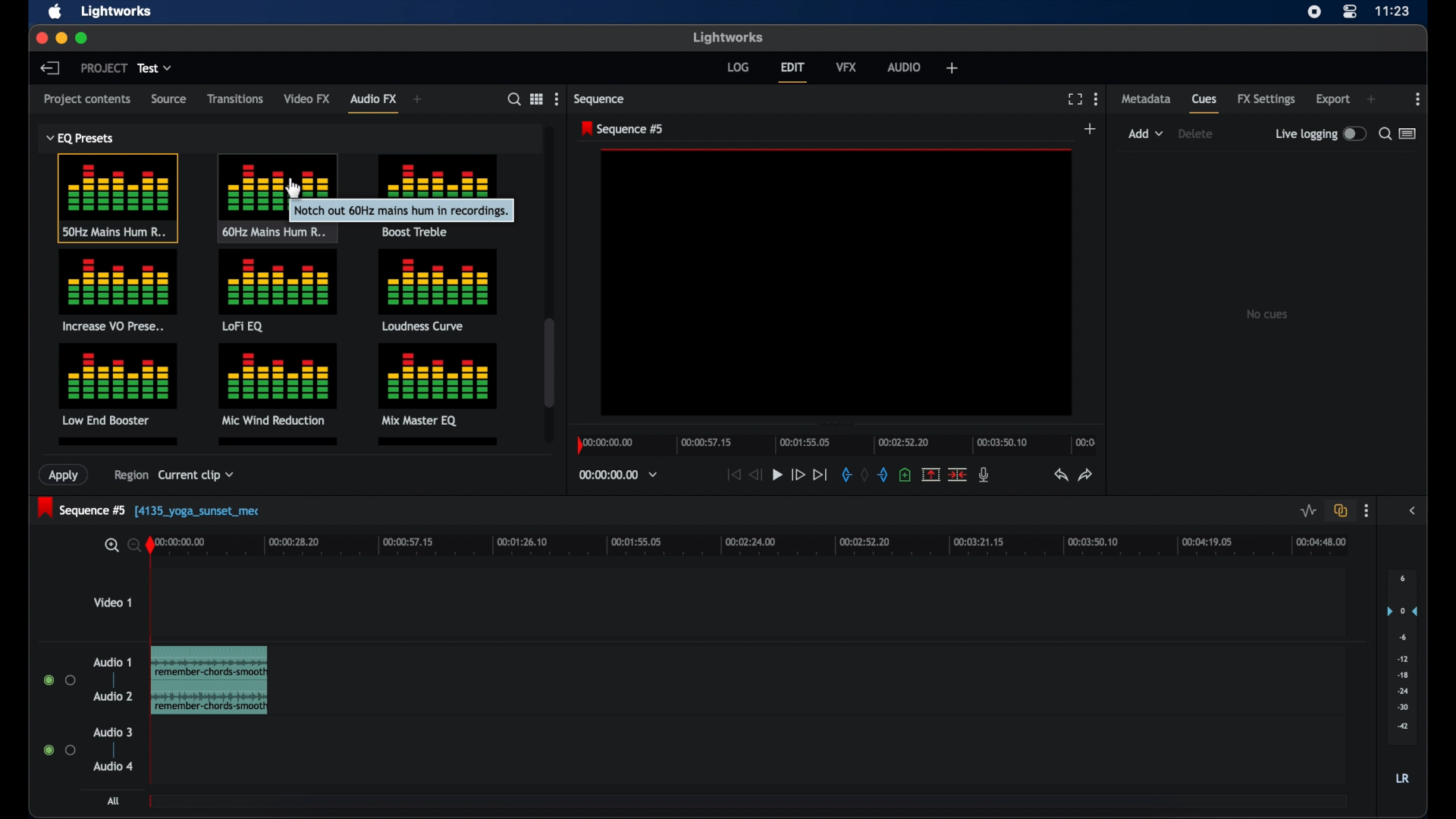  What do you see at coordinates (104, 67) in the screenshot?
I see `project` at bounding box center [104, 67].